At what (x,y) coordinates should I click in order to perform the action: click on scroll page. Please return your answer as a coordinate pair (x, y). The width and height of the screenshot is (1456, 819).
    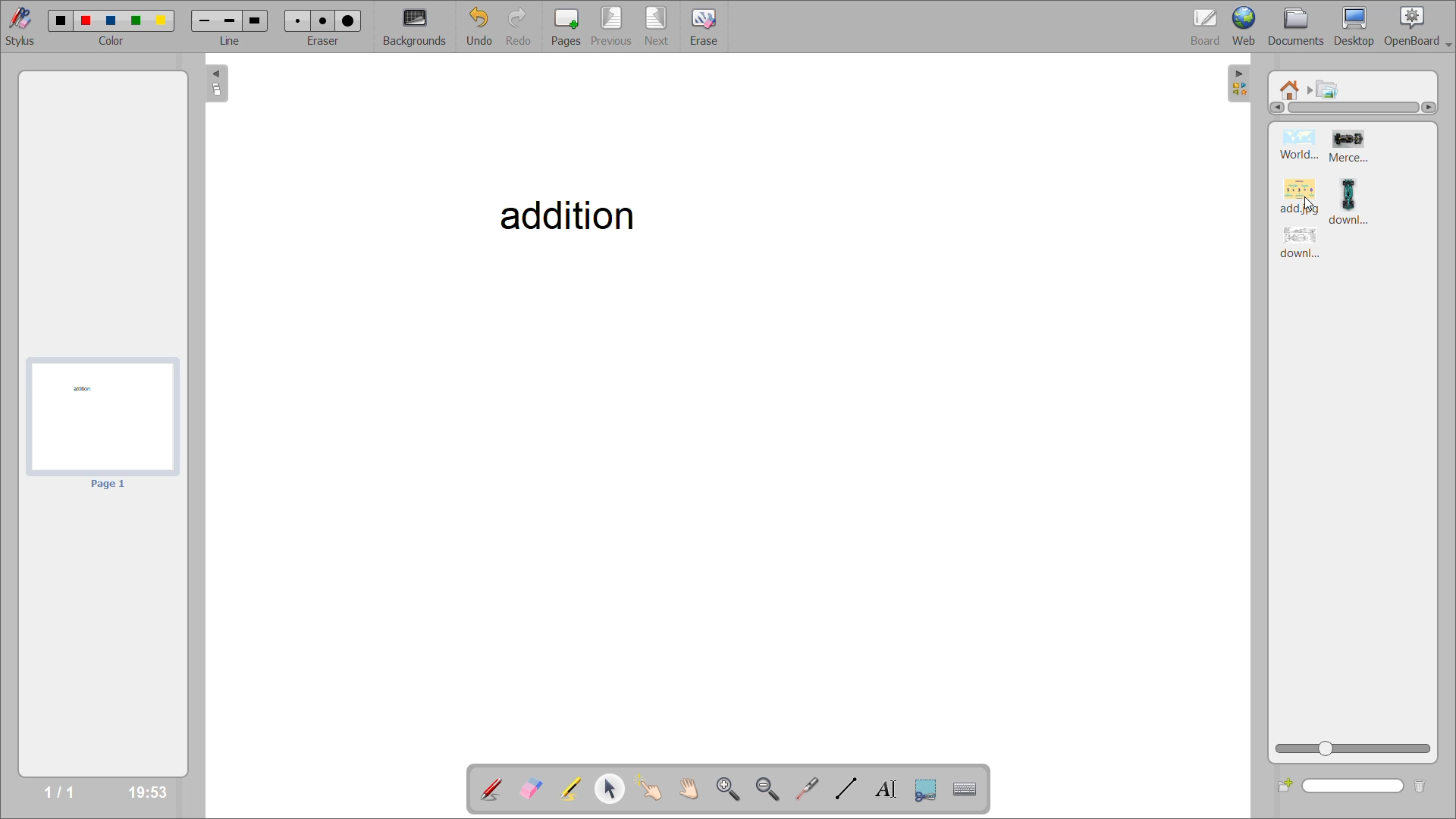
    Looking at the image, I should click on (694, 787).